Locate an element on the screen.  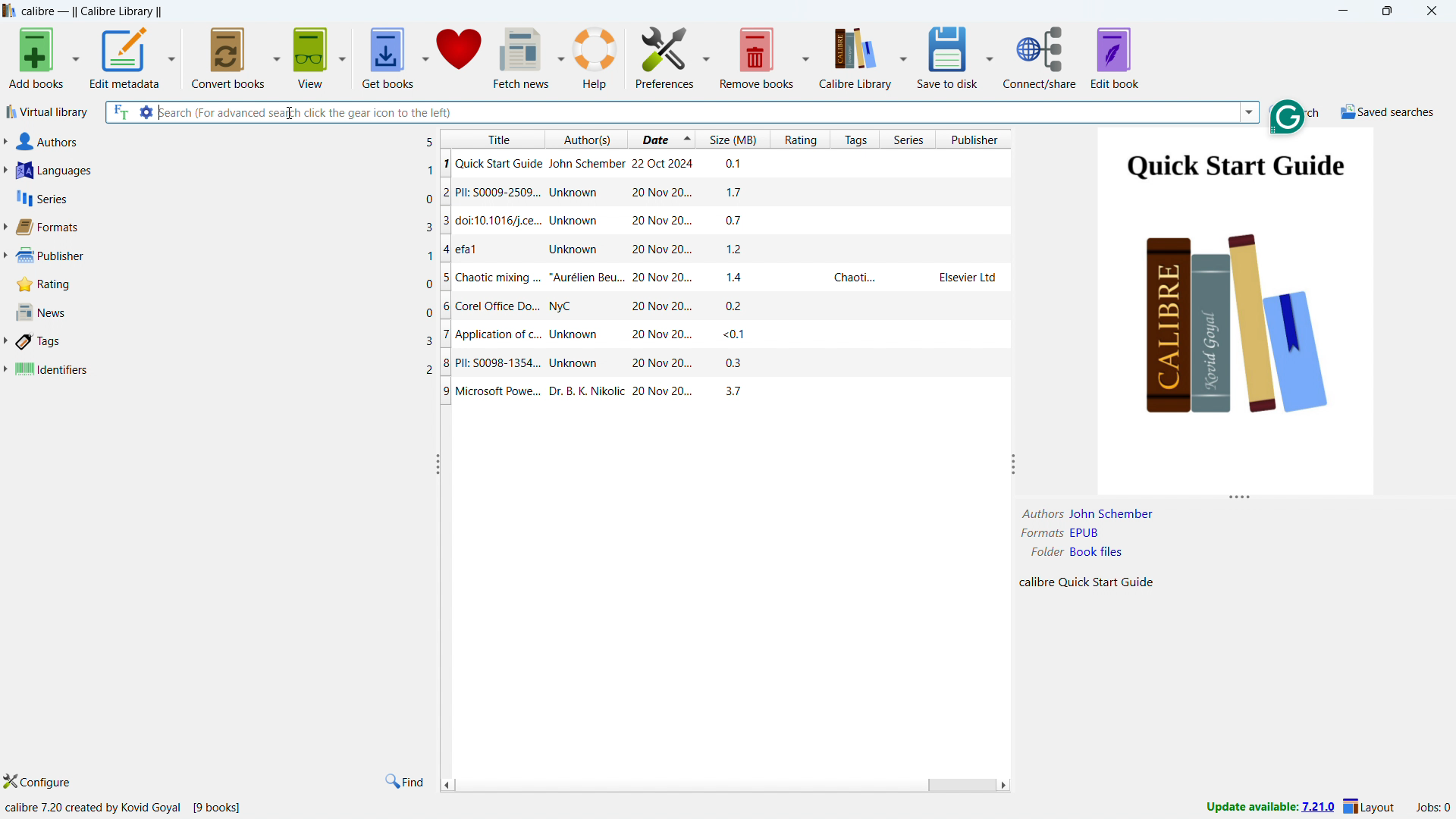
formats is located at coordinates (224, 227).